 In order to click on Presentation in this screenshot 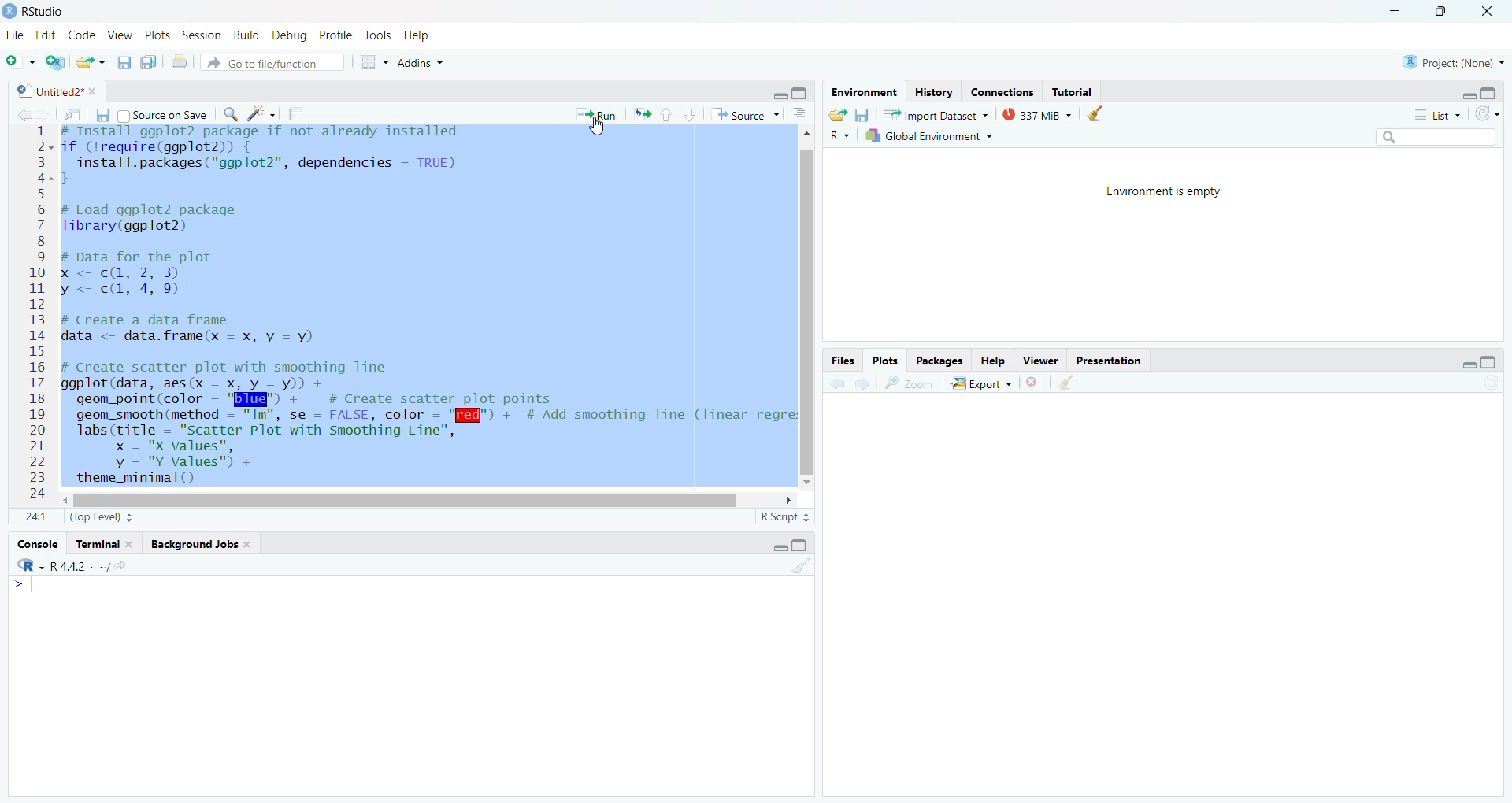, I will do `click(1114, 362)`.